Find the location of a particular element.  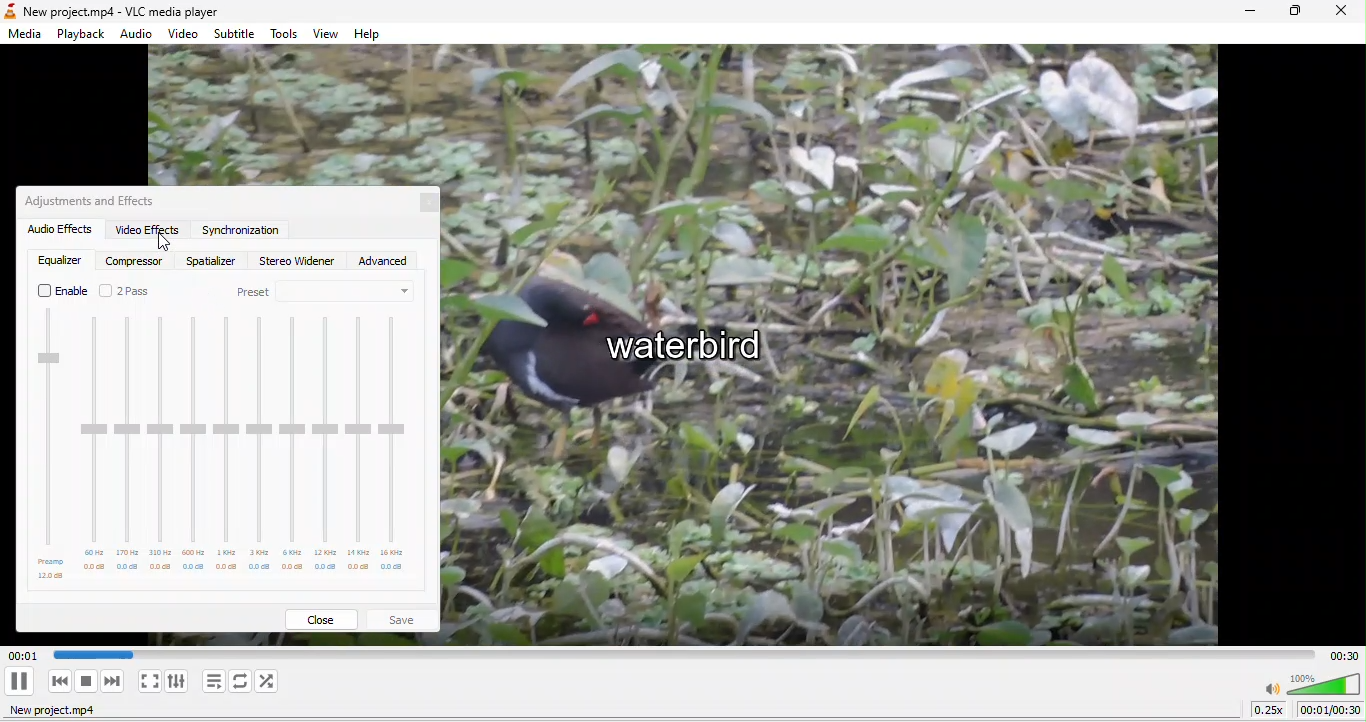

170hz volume bar is located at coordinates (127, 443).